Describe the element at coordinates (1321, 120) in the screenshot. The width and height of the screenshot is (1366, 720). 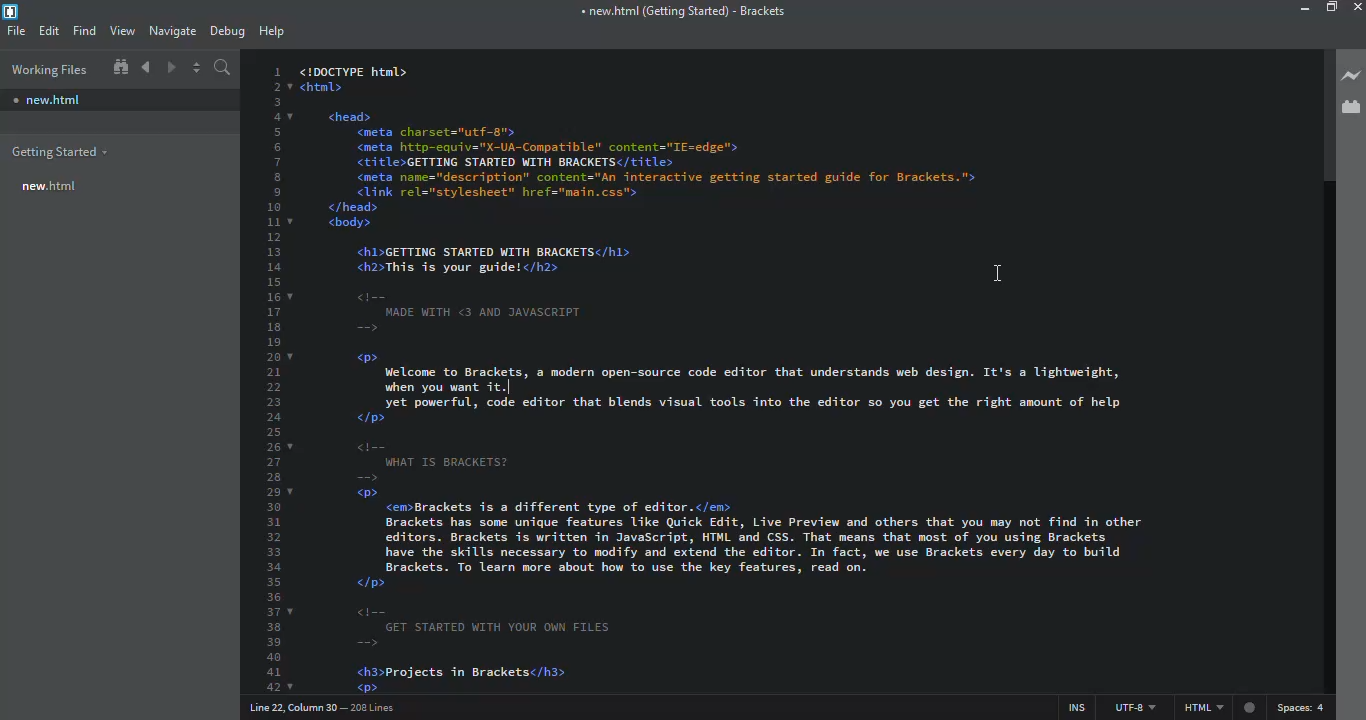
I see `scroll bar` at that location.